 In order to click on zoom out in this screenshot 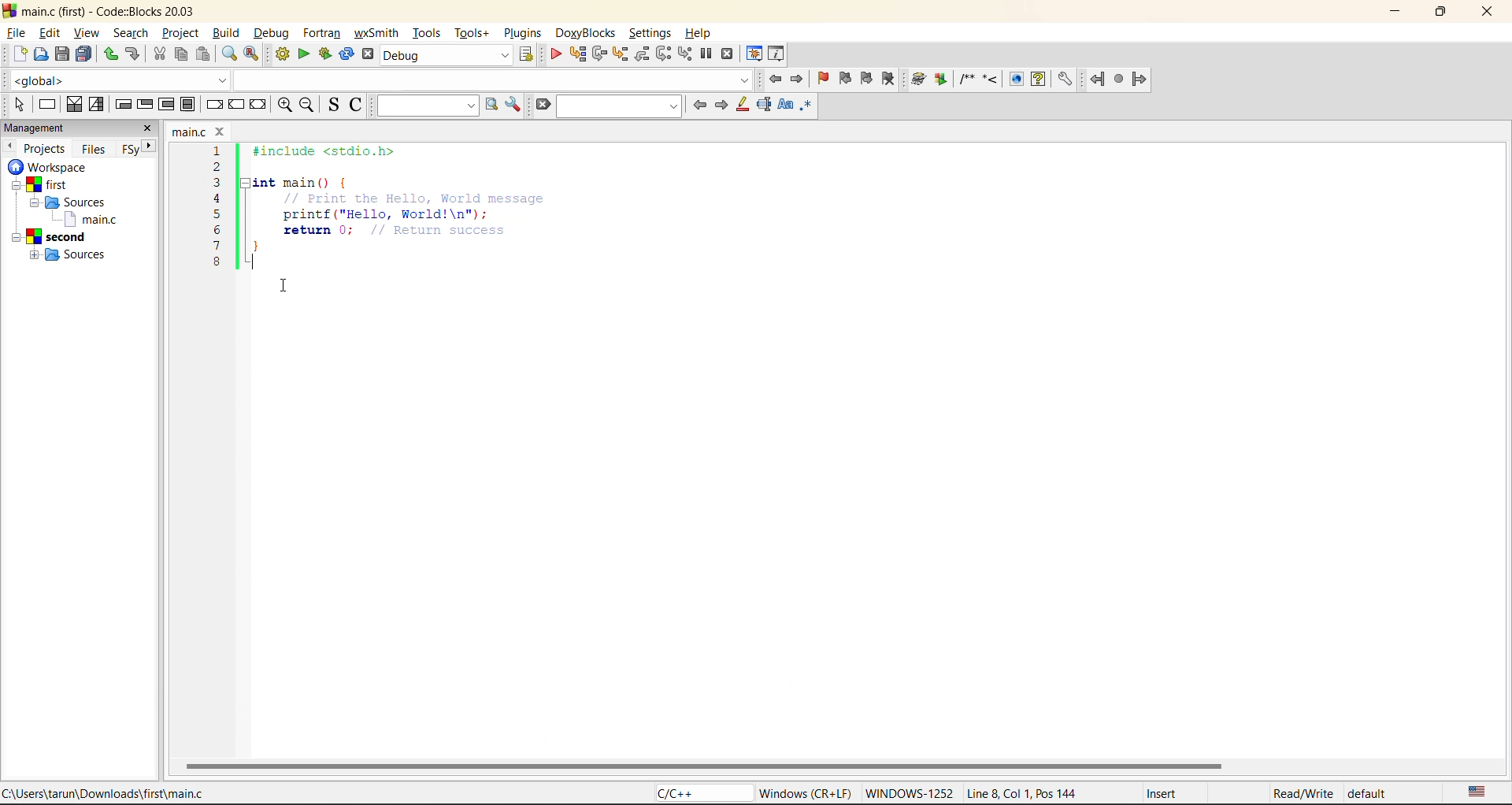, I will do `click(309, 106)`.